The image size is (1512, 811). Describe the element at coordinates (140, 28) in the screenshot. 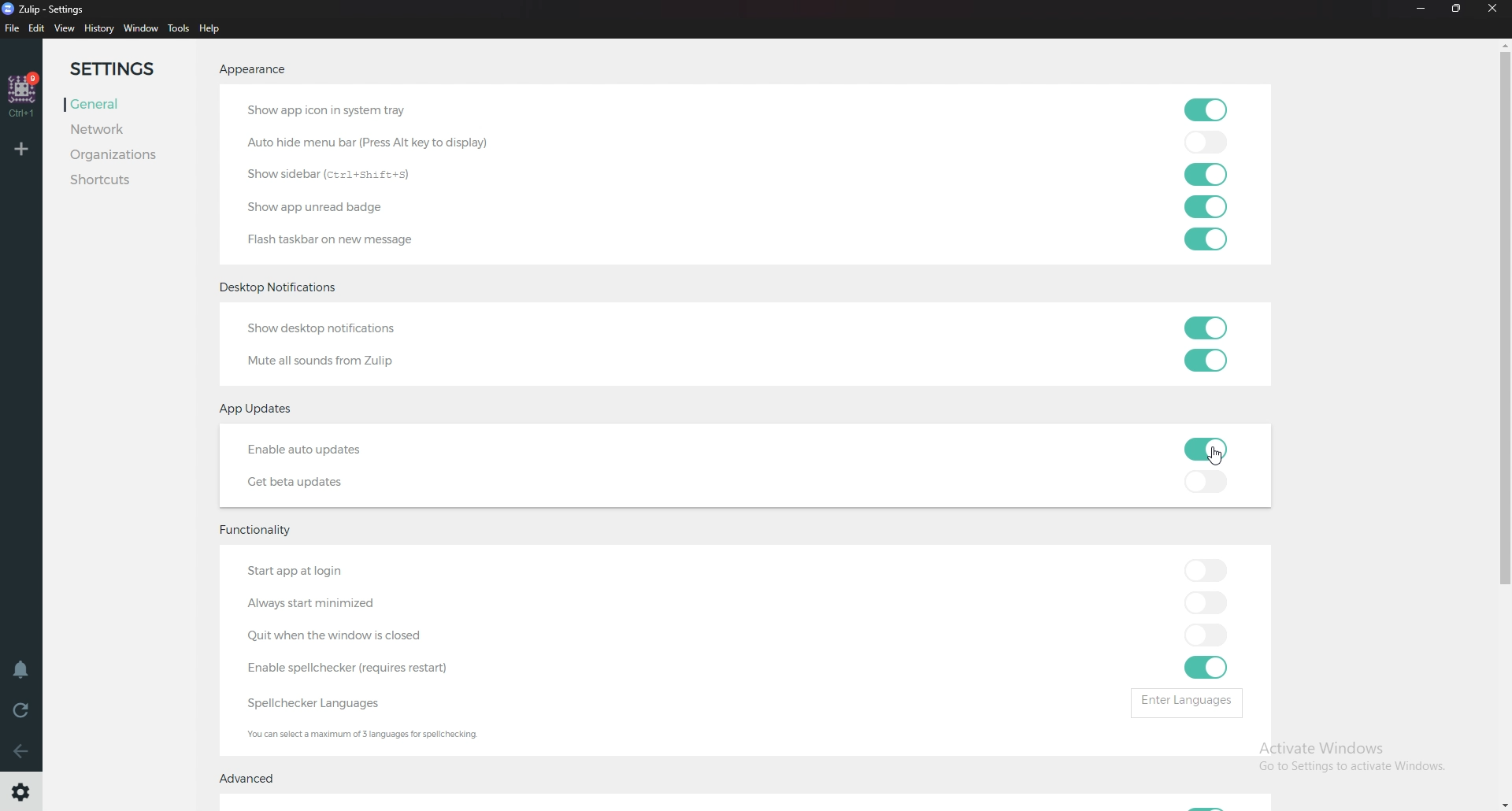

I see `Window` at that location.